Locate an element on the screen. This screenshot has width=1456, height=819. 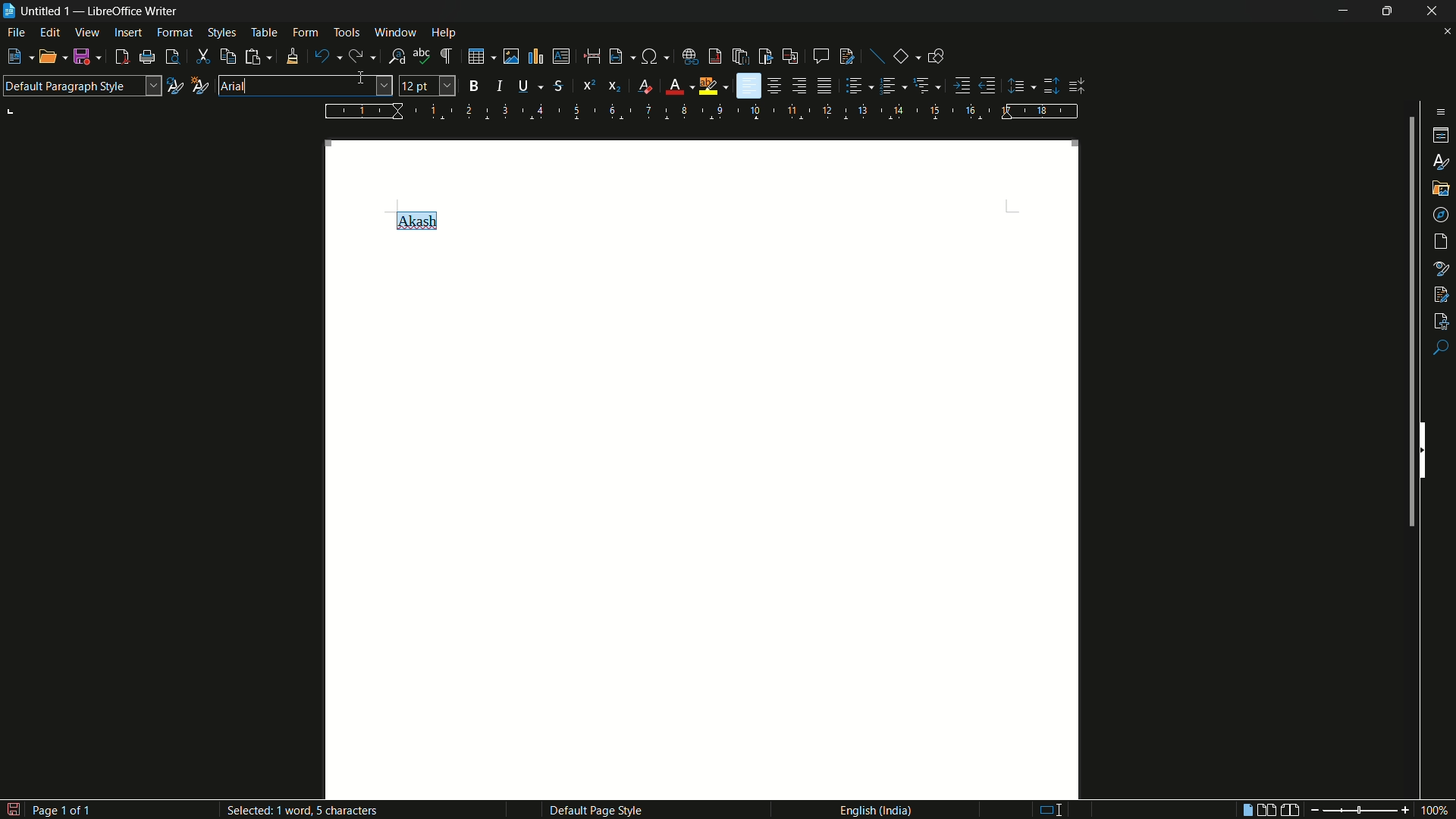
font size is located at coordinates (428, 86).